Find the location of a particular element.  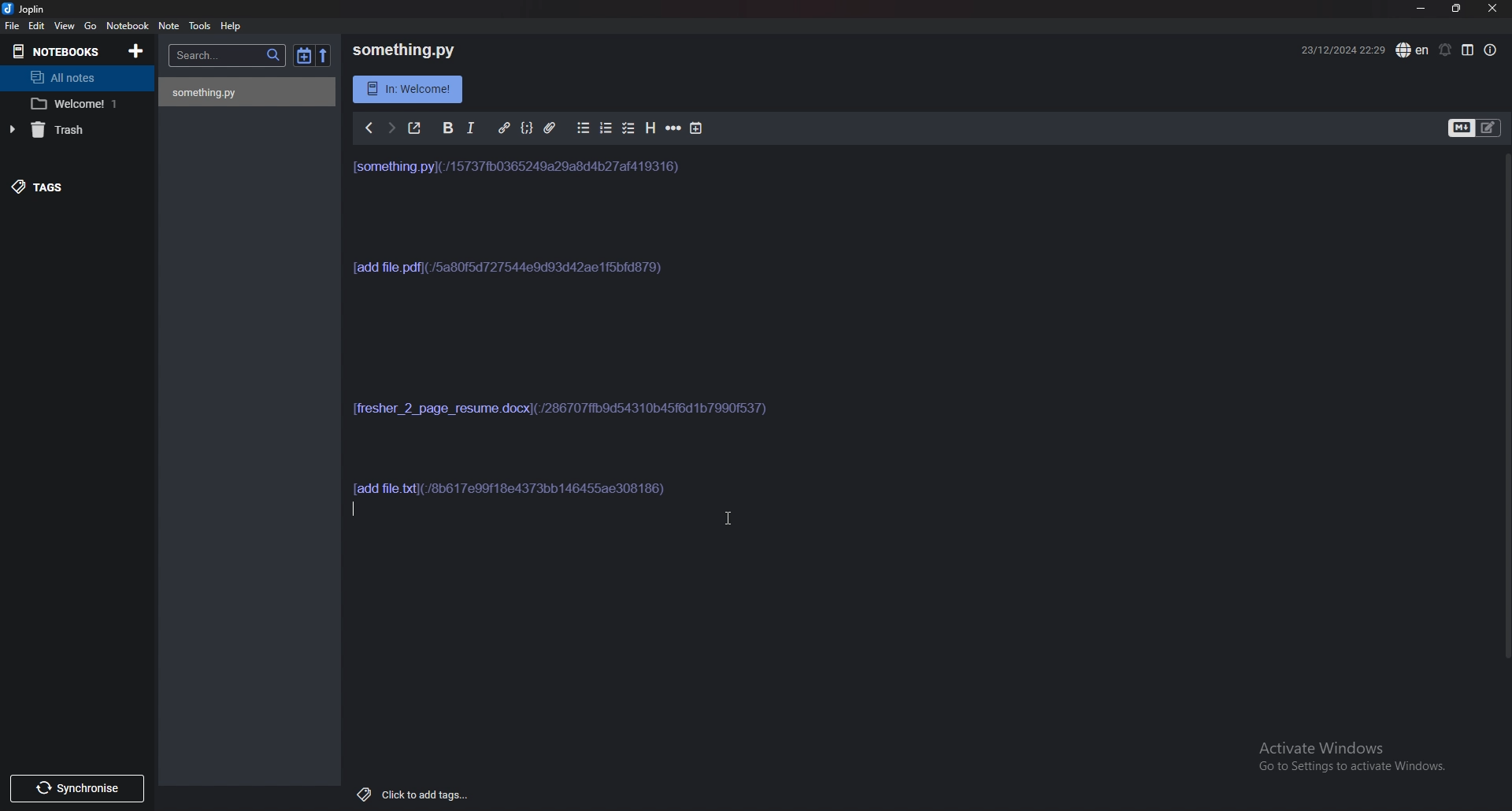

edit is located at coordinates (38, 25).